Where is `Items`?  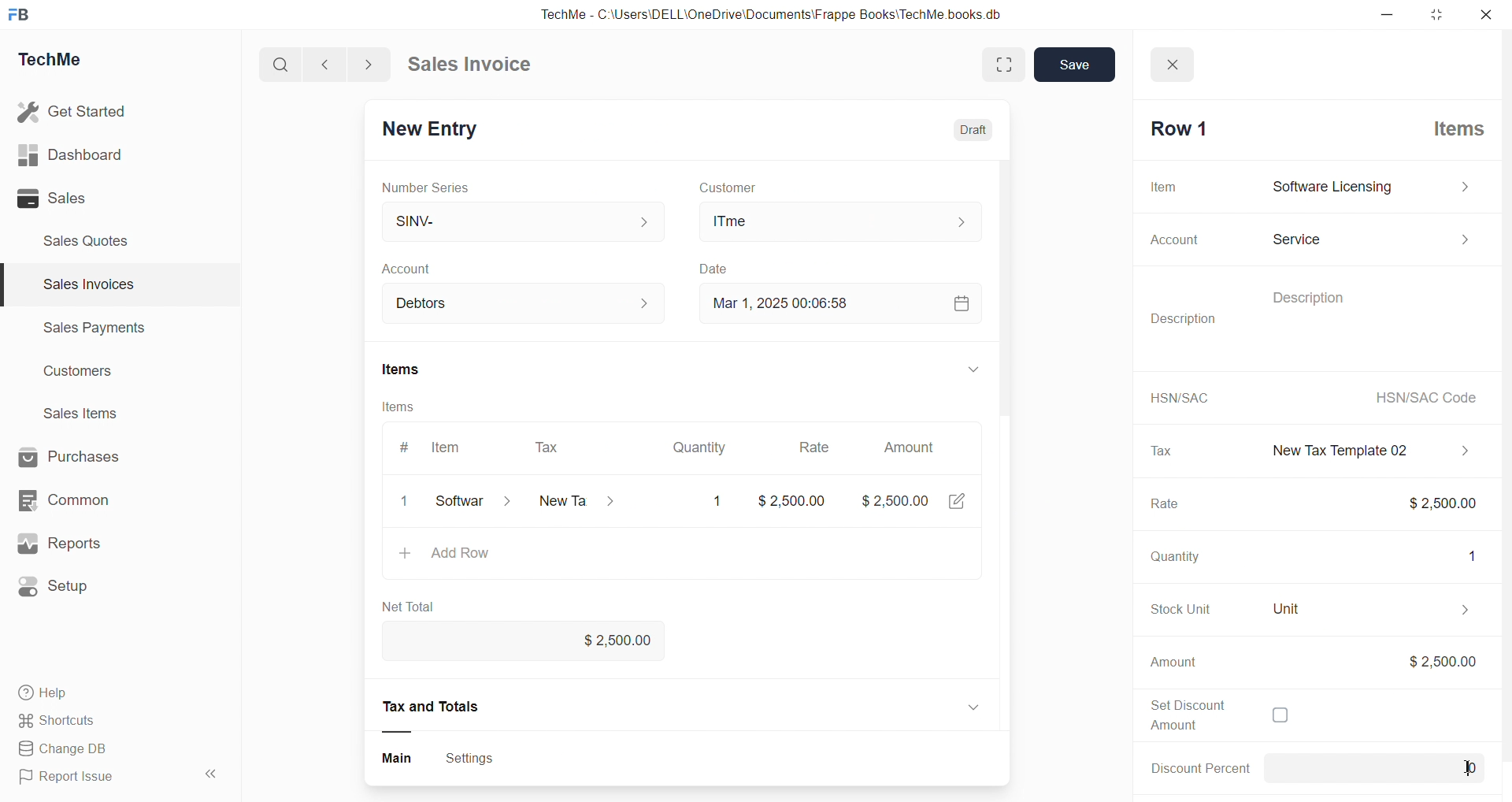
Items is located at coordinates (412, 408).